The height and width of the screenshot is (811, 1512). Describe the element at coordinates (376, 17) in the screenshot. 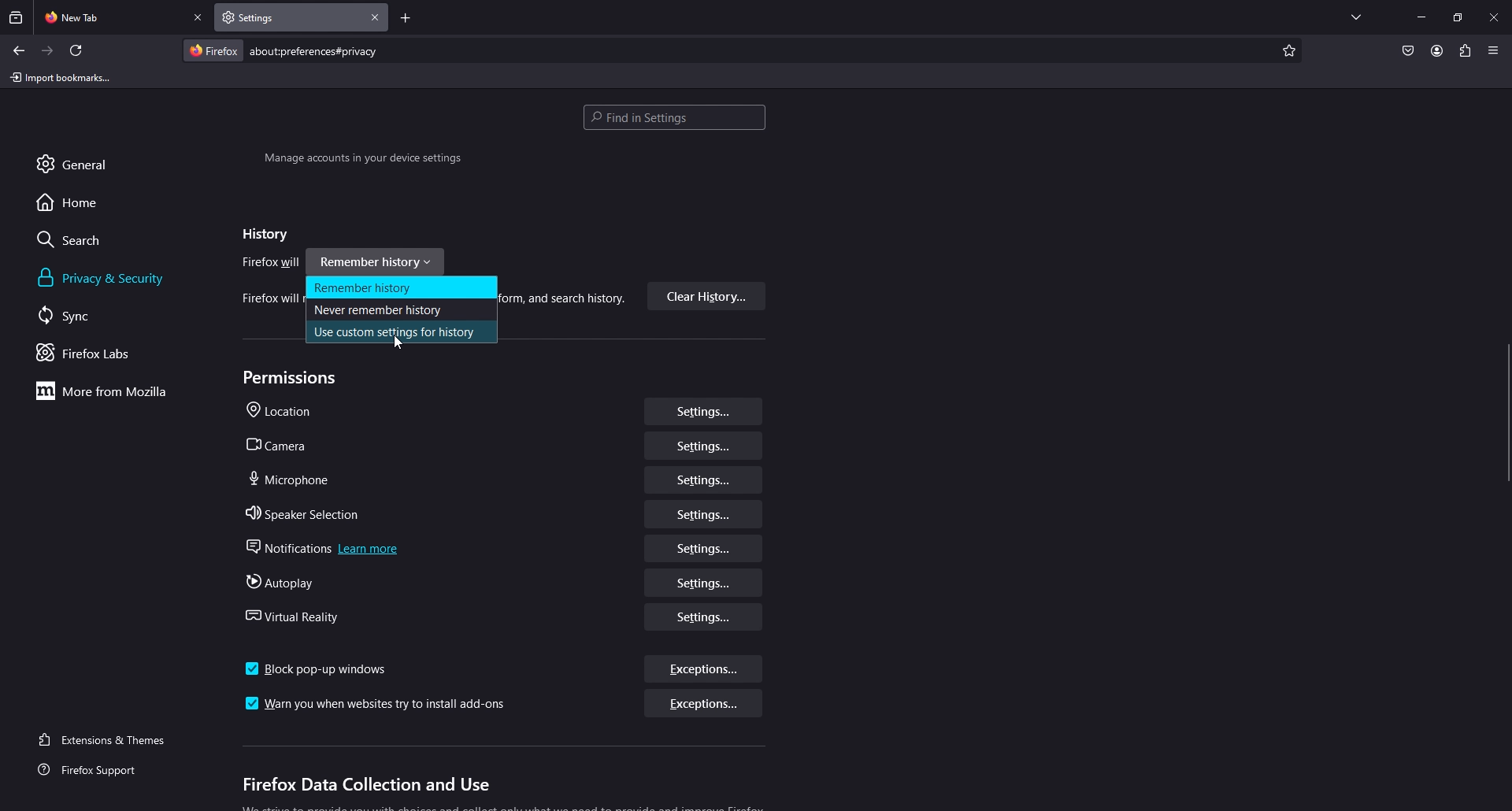

I see `close tab` at that location.